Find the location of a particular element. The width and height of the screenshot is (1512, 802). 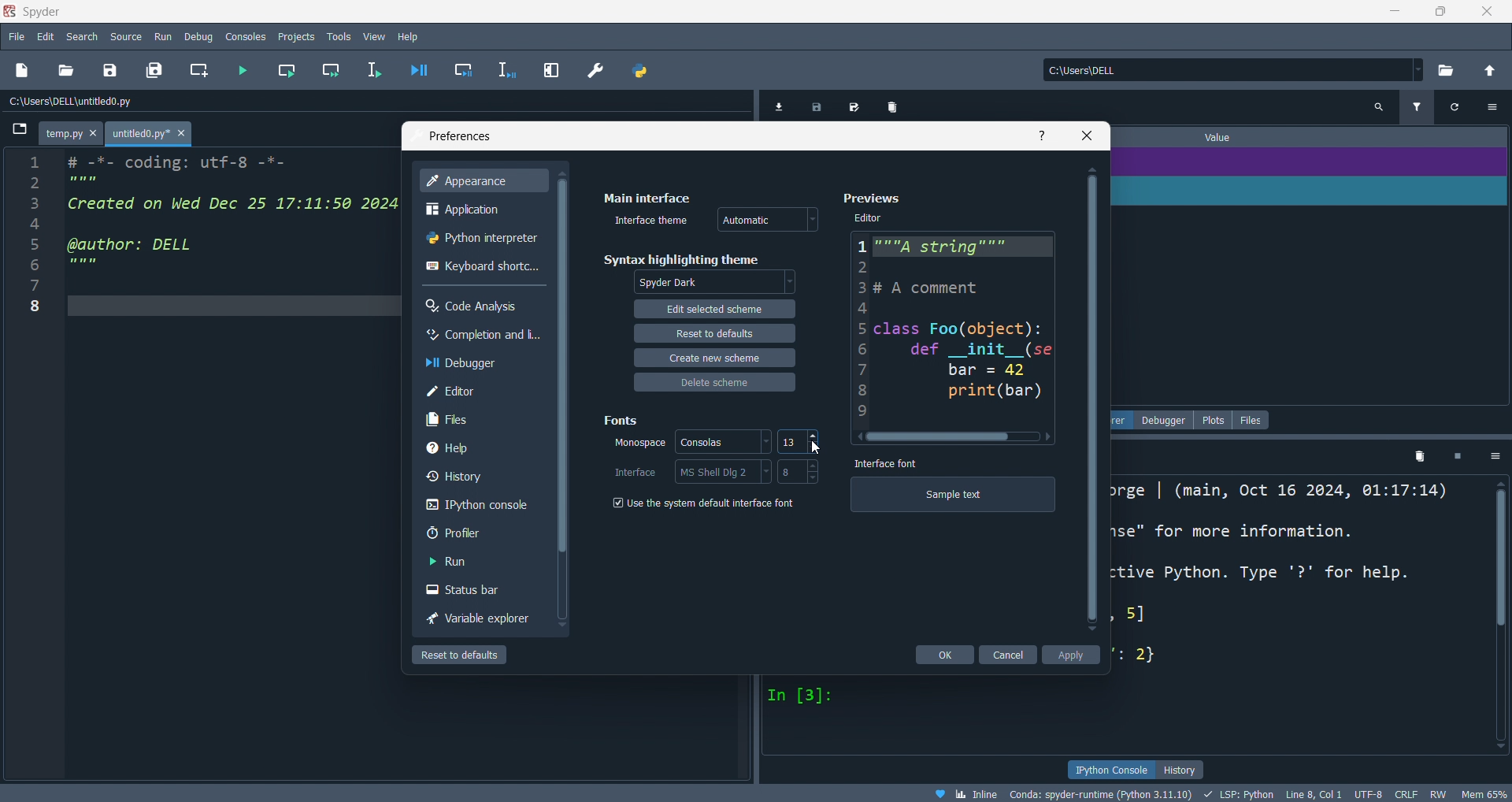

ok is located at coordinates (944, 654).